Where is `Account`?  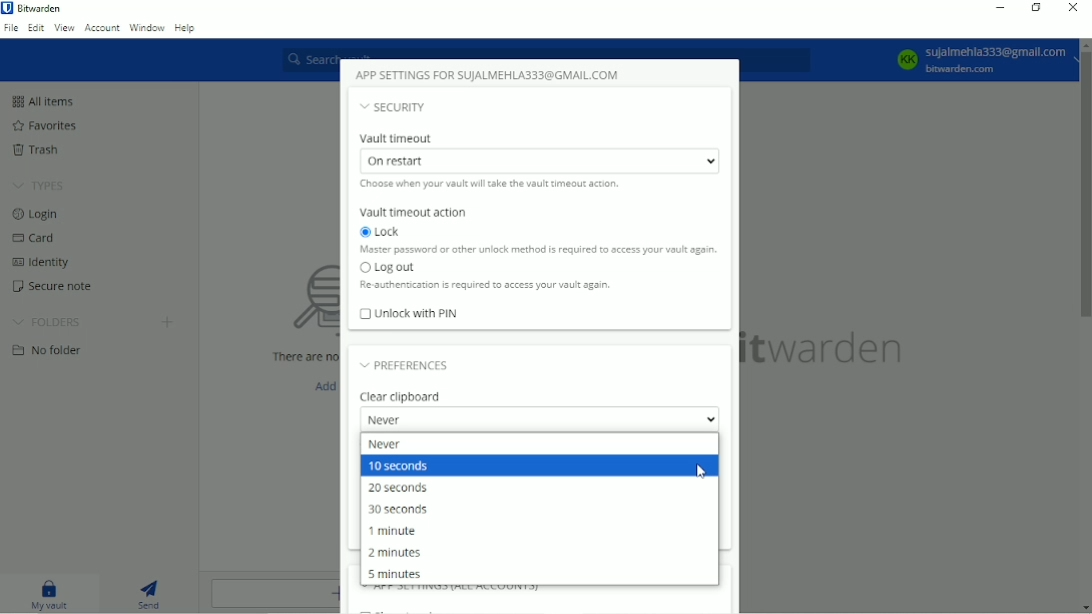 Account is located at coordinates (103, 28).